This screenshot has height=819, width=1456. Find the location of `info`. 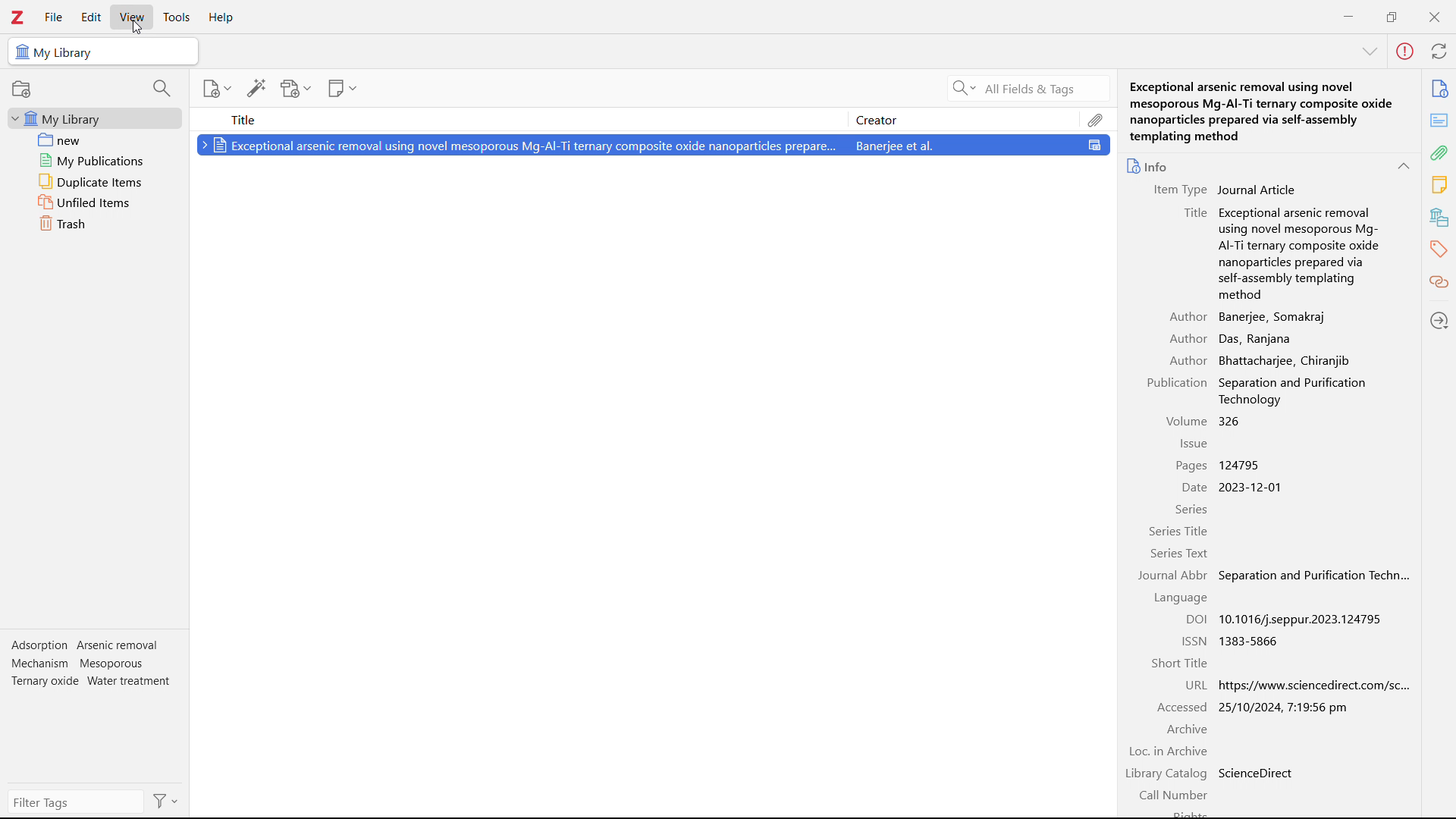

info is located at coordinates (1441, 89).